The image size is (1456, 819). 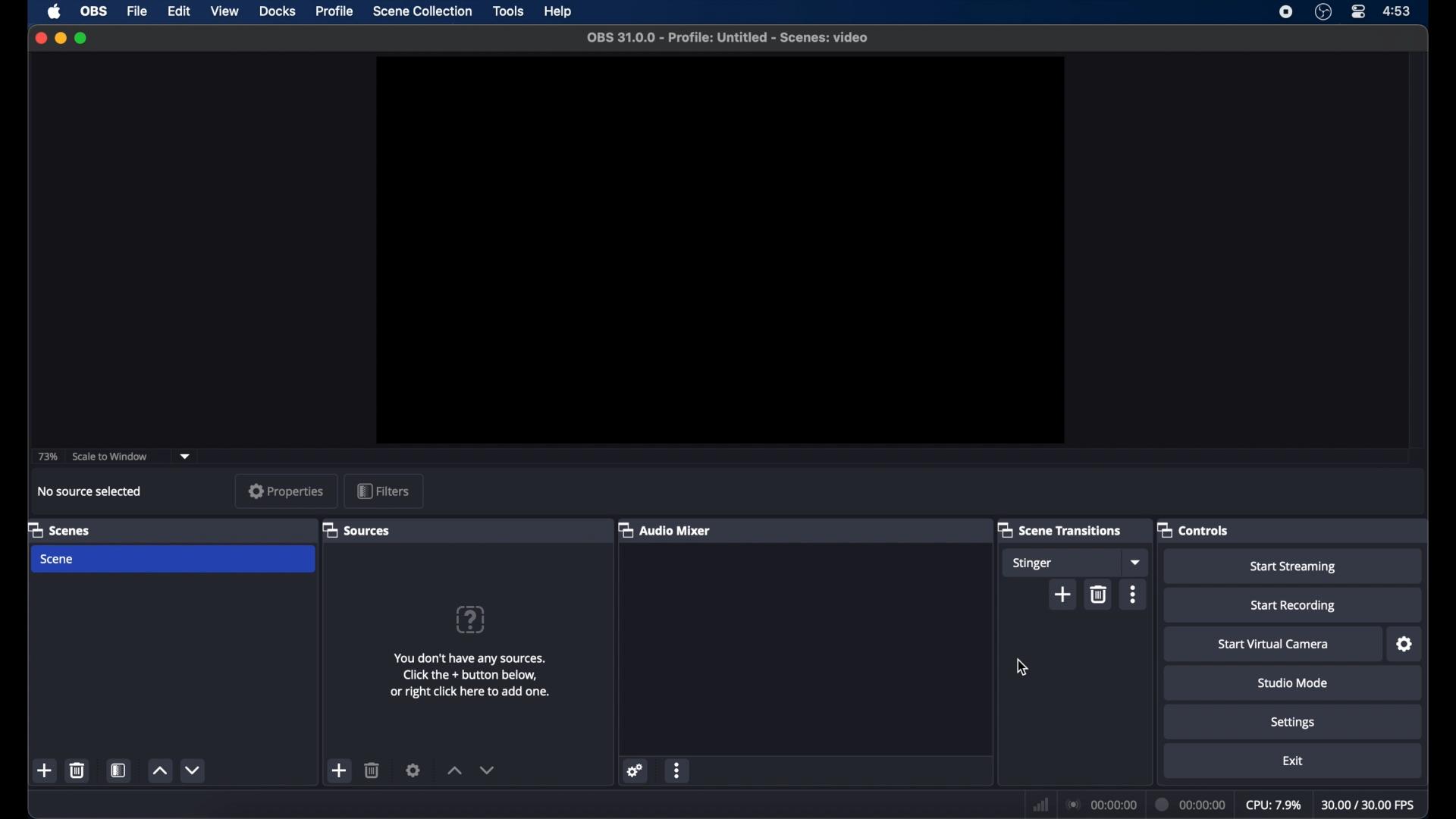 What do you see at coordinates (59, 529) in the screenshot?
I see `scenes` at bounding box center [59, 529].